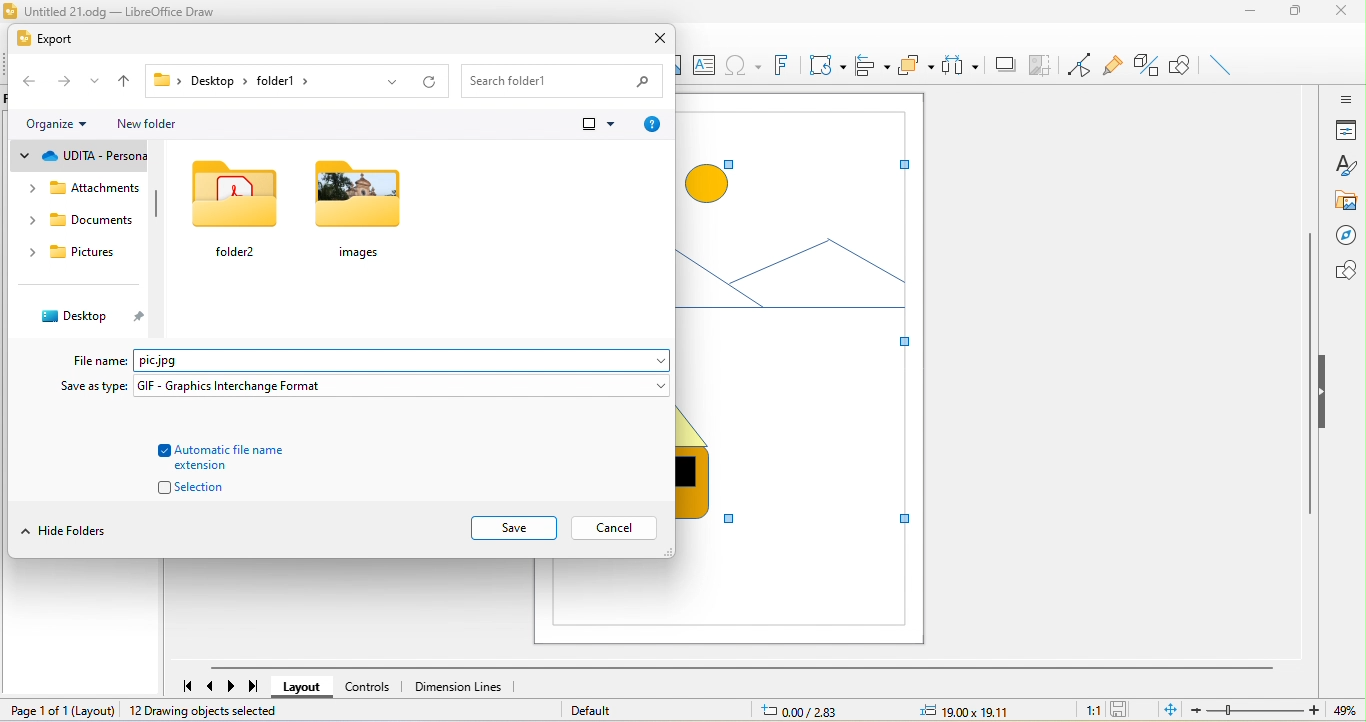  What do you see at coordinates (391, 81) in the screenshot?
I see `drop down` at bounding box center [391, 81].